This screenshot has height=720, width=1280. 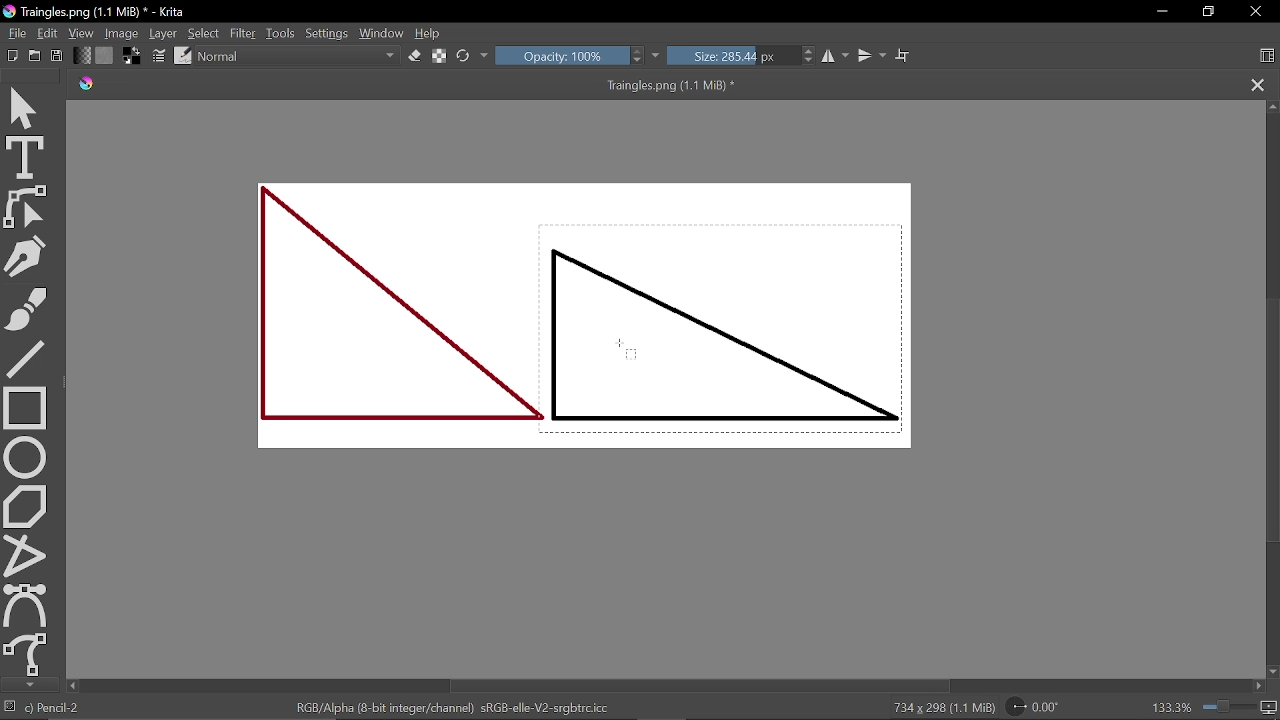 What do you see at coordinates (13, 56) in the screenshot?
I see `Open new document` at bounding box center [13, 56].